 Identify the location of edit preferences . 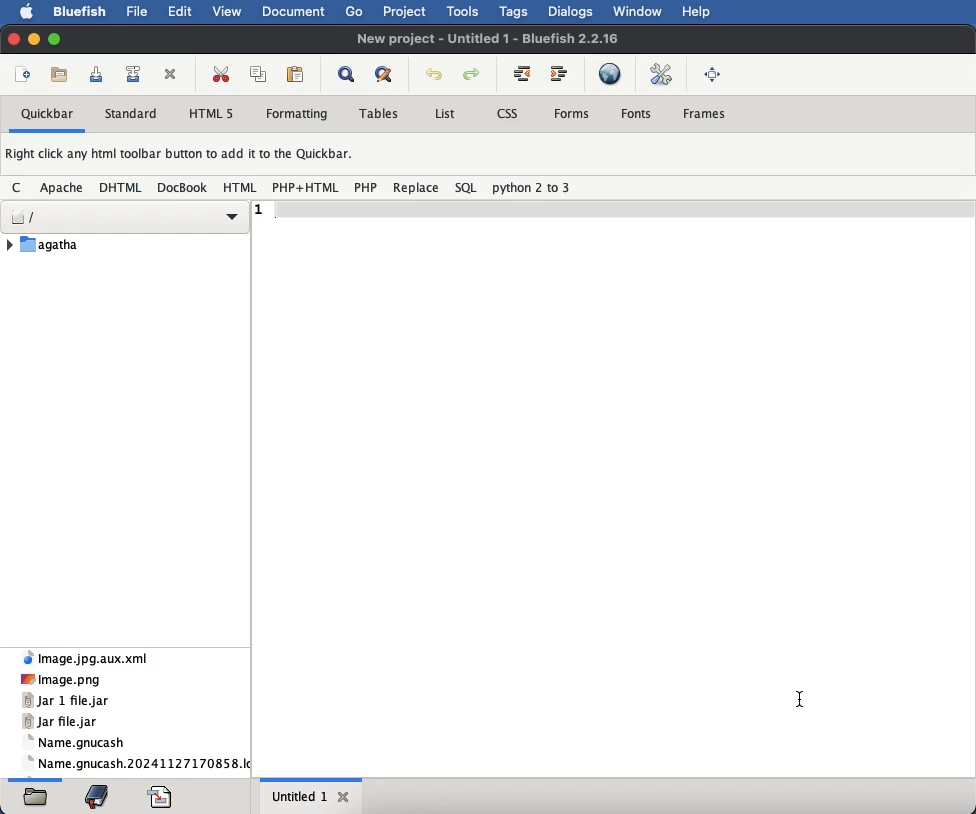
(662, 73).